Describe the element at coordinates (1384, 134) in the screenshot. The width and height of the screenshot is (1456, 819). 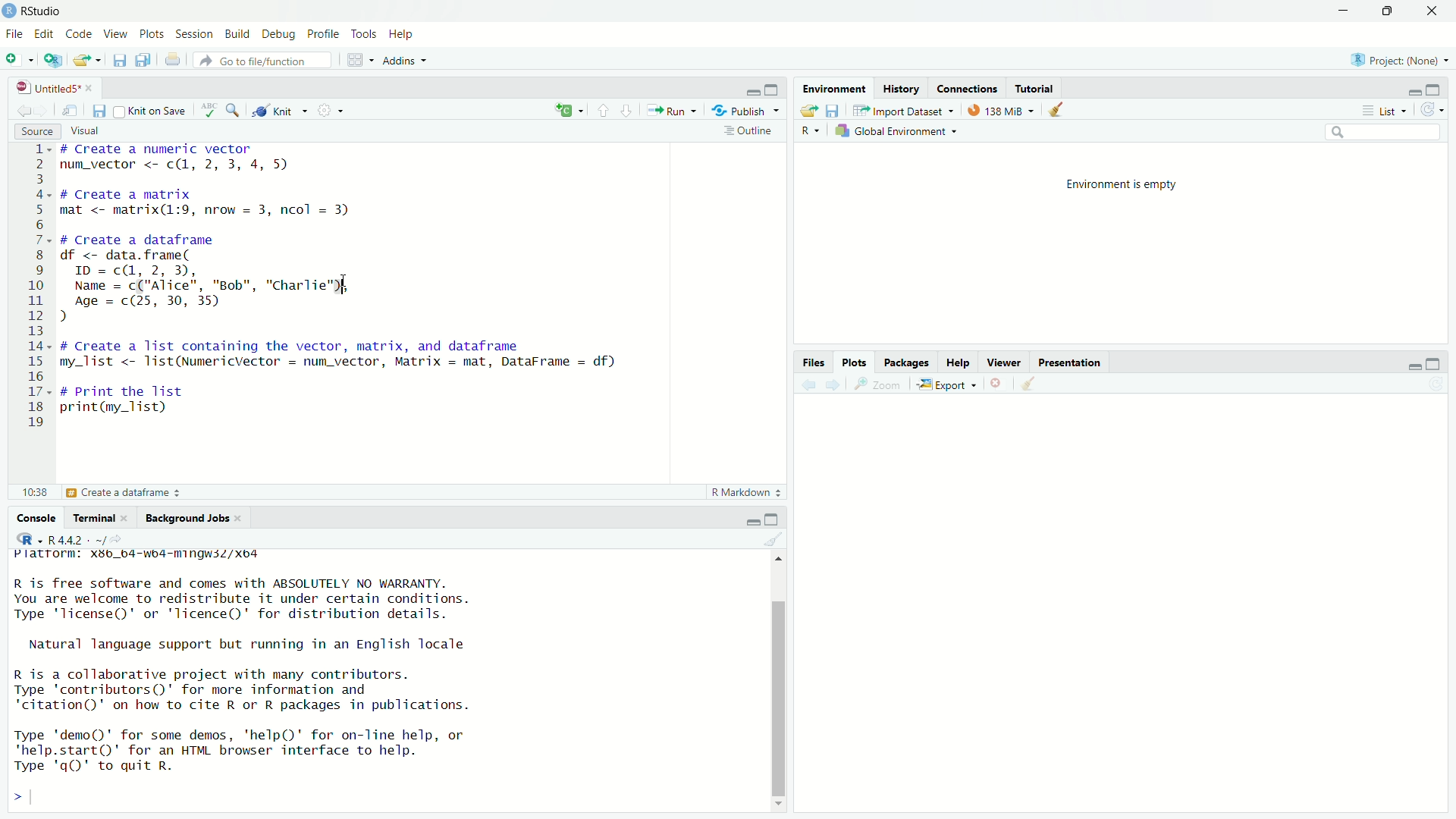
I see `search` at that location.